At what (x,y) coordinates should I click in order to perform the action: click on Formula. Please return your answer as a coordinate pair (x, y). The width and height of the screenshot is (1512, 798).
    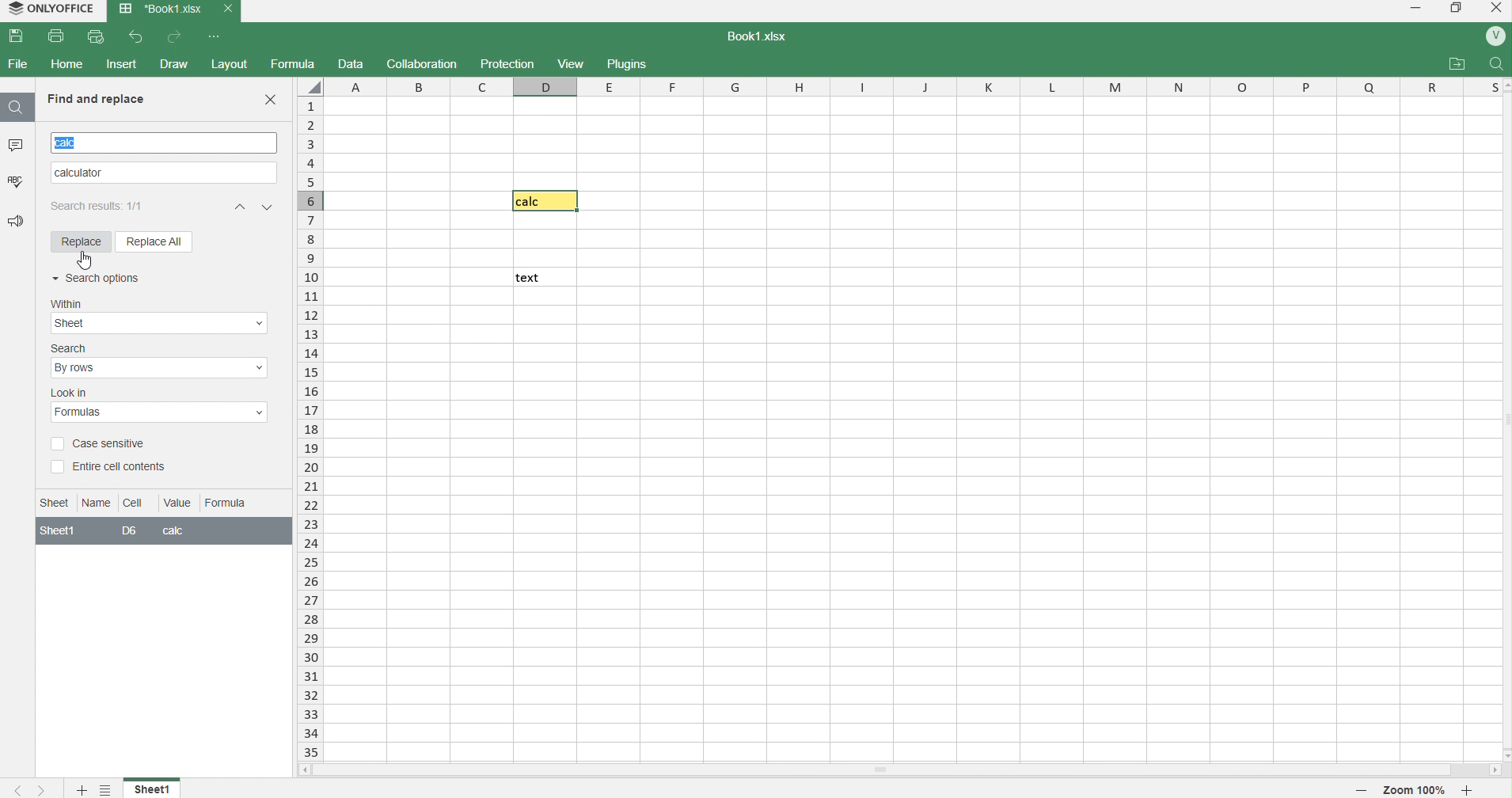
    Looking at the image, I should click on (233, 503).